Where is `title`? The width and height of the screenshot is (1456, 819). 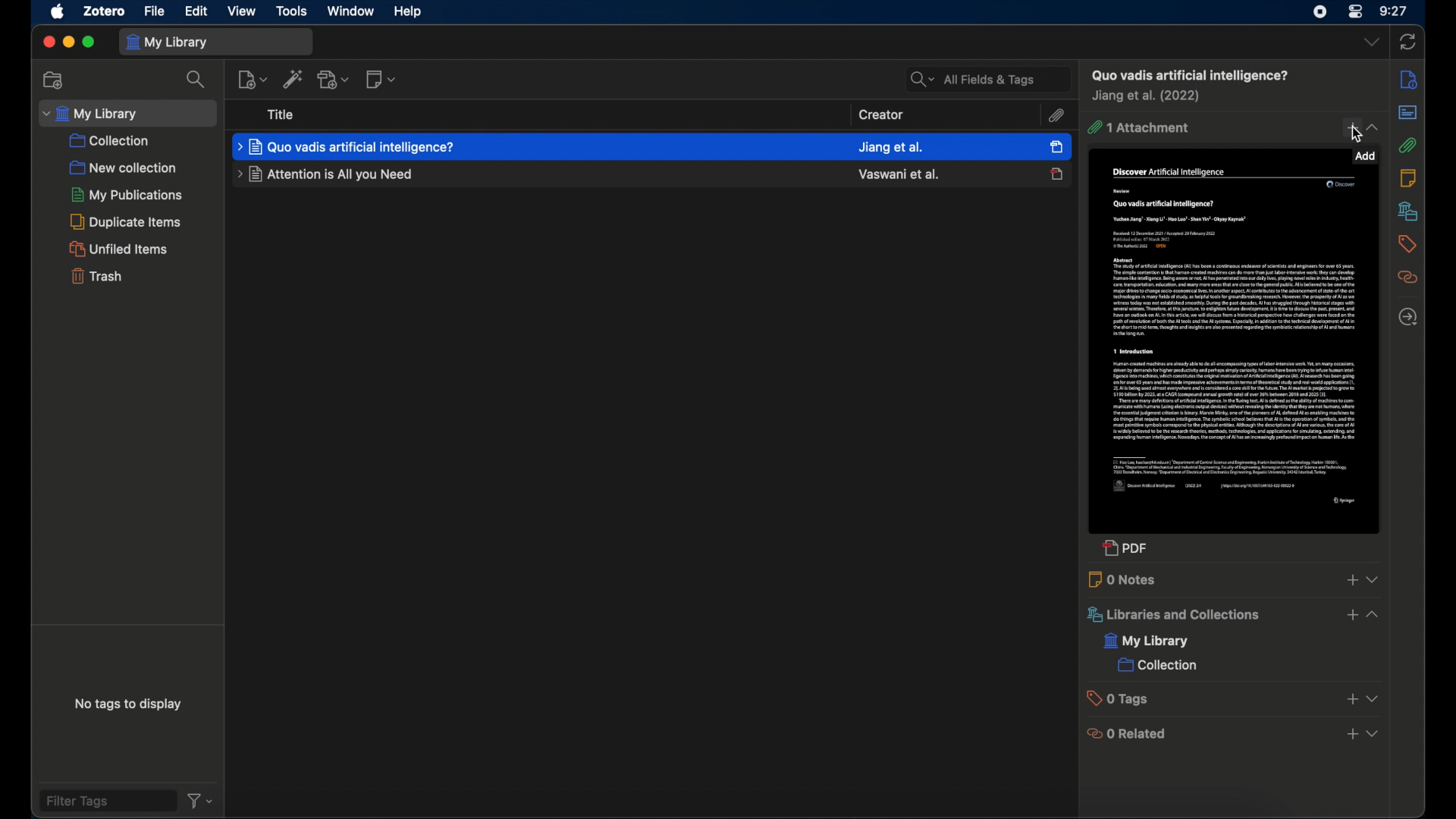
title is located at coordinates (282, 115).